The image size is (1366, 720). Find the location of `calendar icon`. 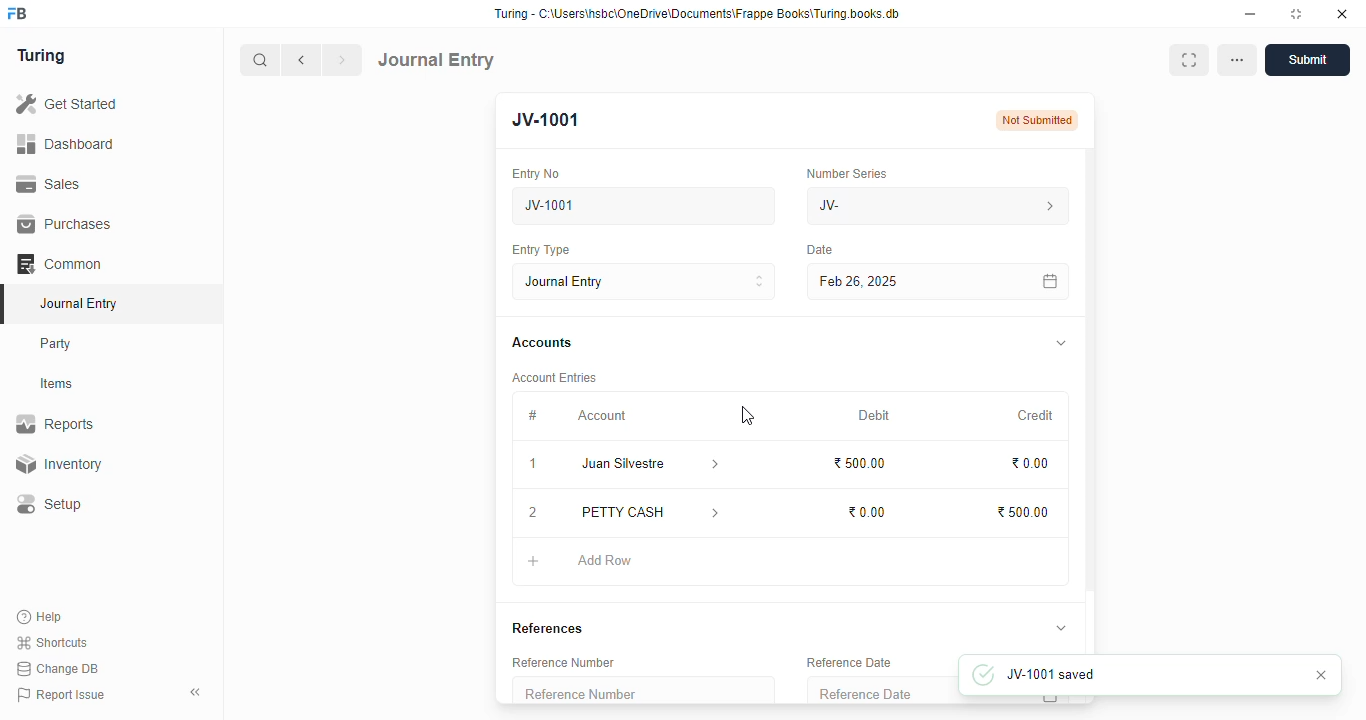

calendar icon is located at coordinates (1048, 700).